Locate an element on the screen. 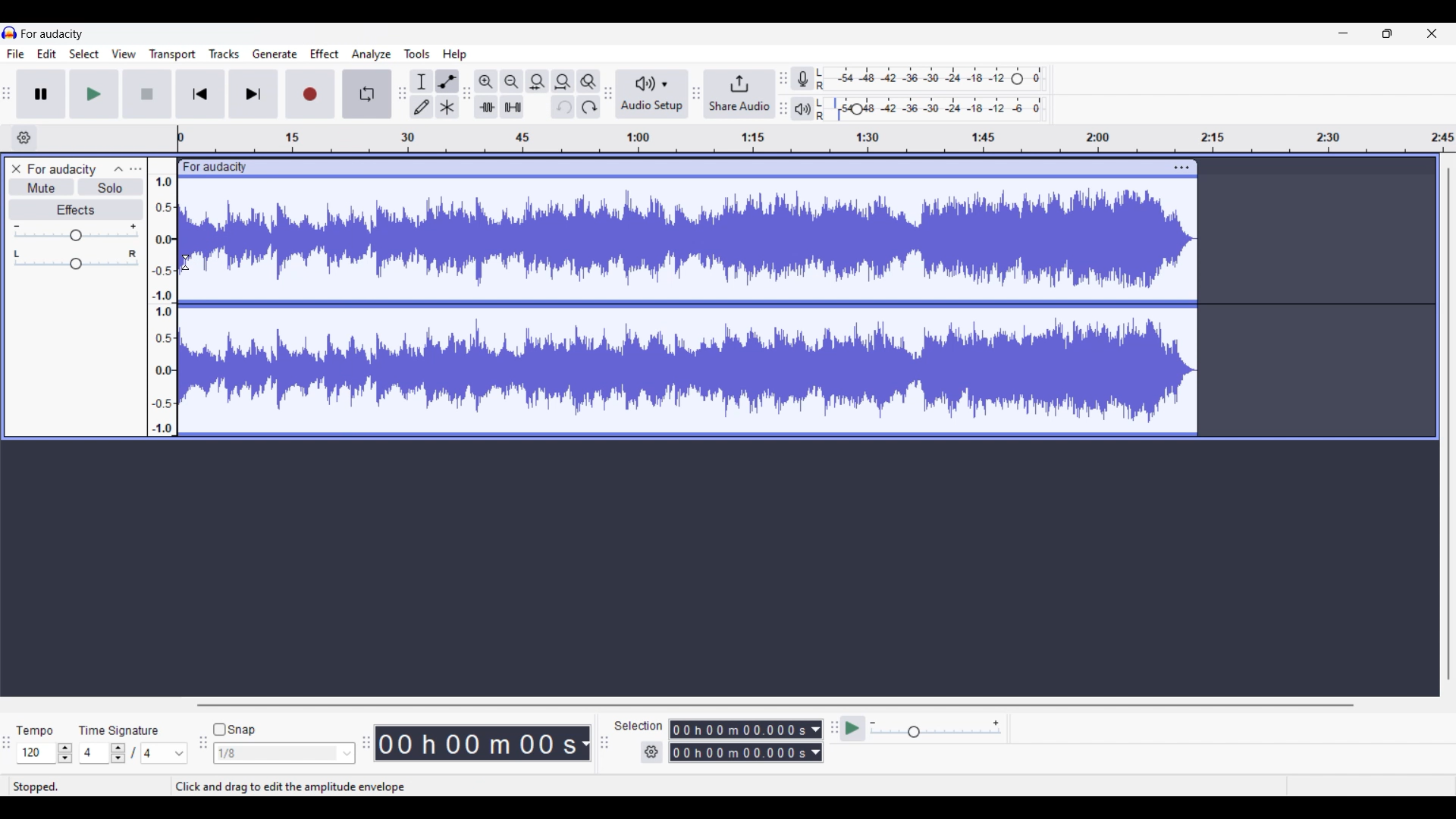 The height and width of the screenshot is (819, 1456). Tempo settings is located at coordinates (45, 753).